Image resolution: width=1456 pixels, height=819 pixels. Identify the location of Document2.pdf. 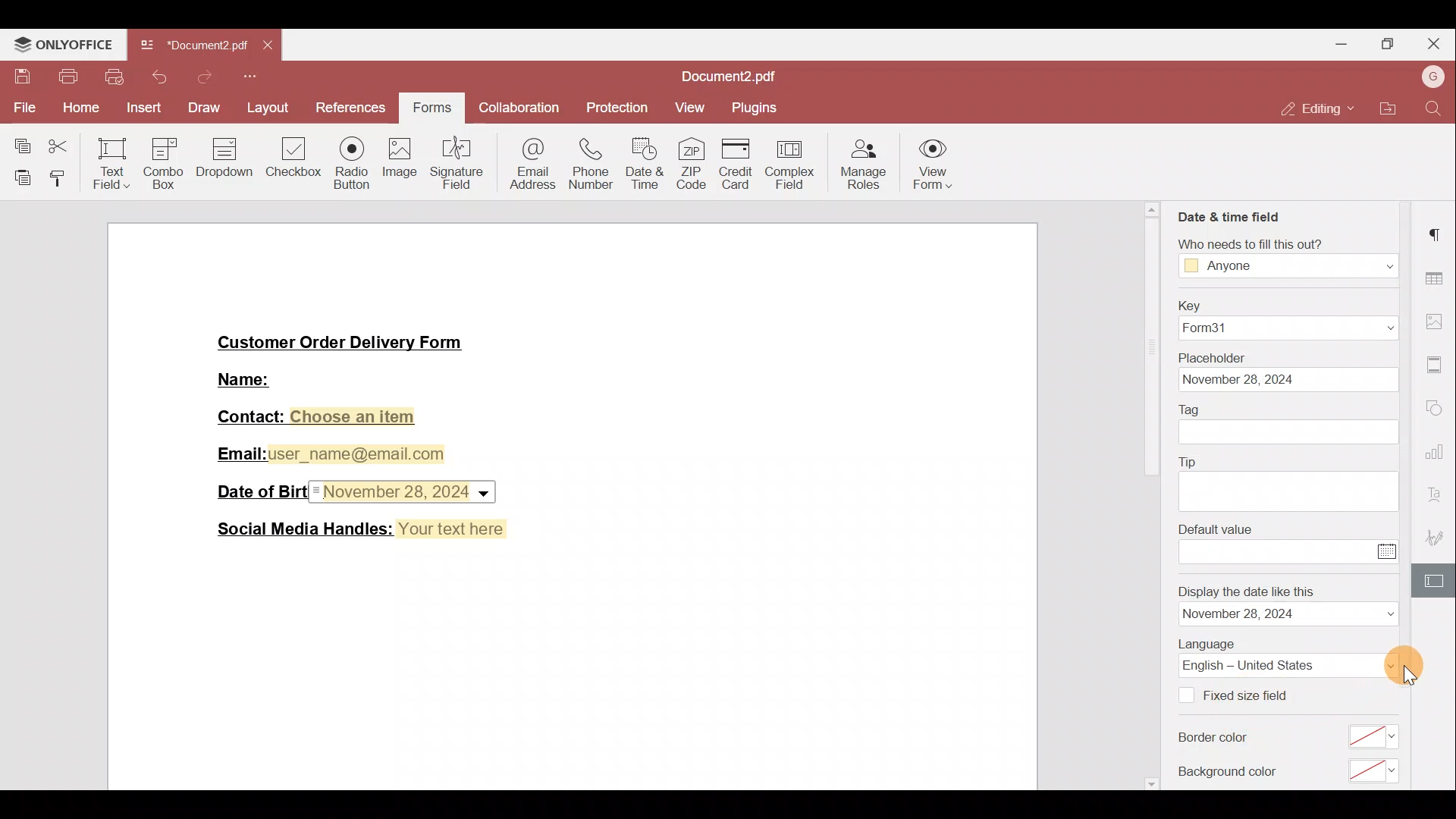
(720, 77).